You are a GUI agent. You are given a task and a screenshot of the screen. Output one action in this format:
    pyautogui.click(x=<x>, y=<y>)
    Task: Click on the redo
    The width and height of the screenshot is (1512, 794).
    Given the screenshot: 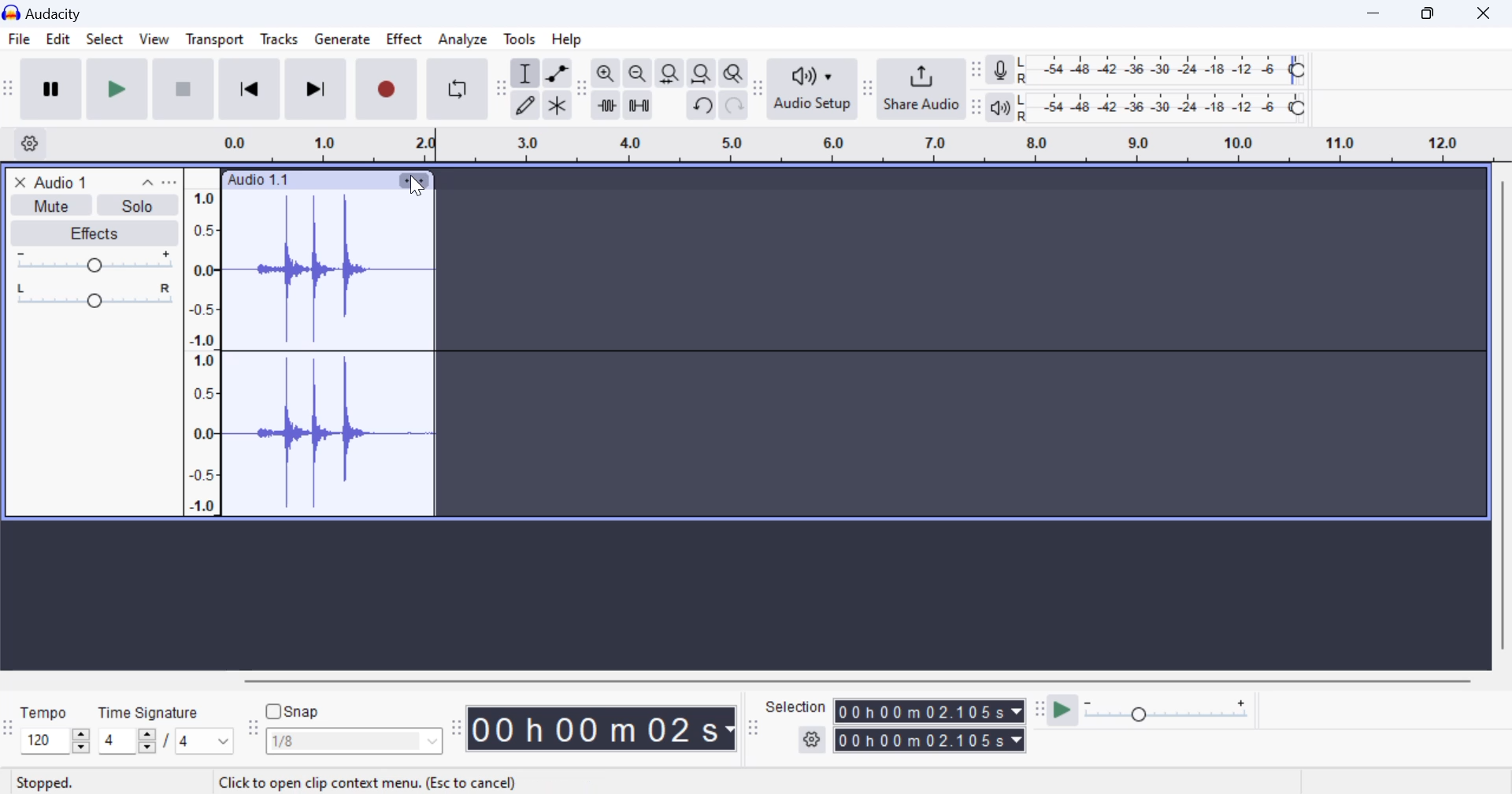 What is the action you would take?
    pyautogui.click(x=734, y=106)
    